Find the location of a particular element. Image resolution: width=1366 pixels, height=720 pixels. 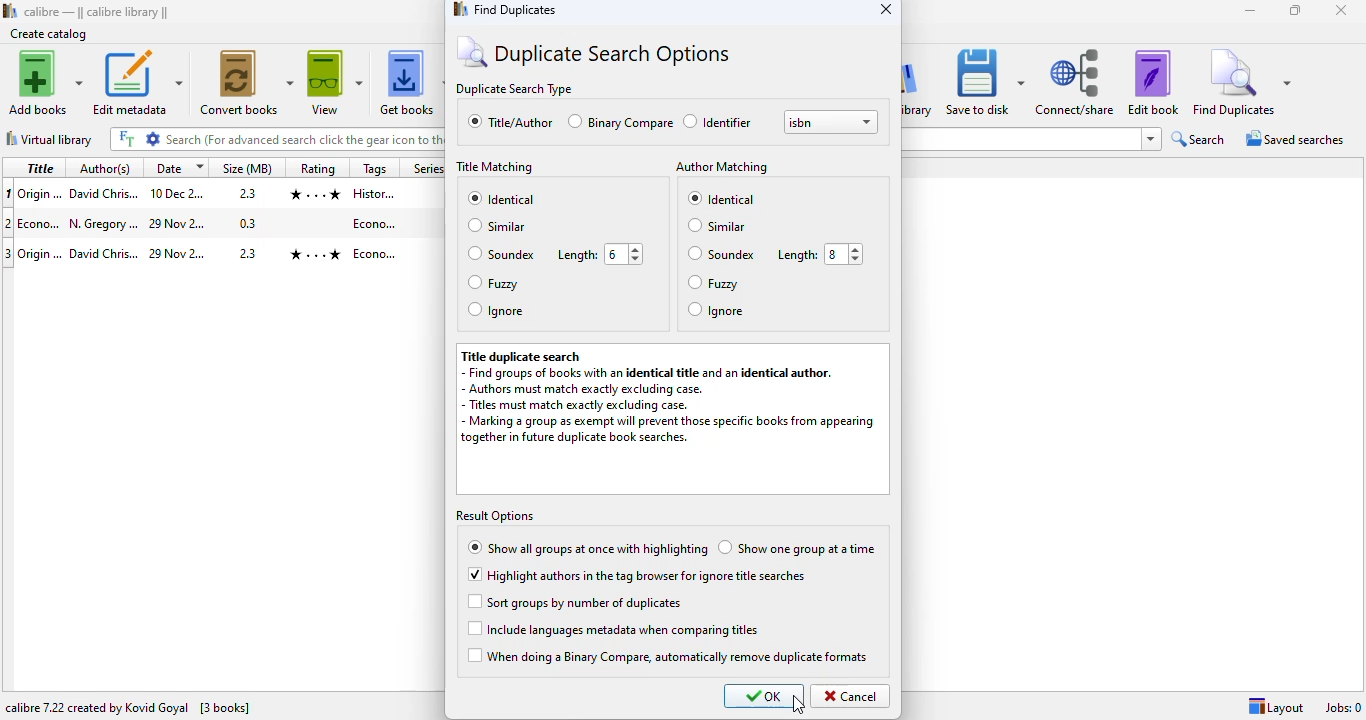

calibre || calibre library || is located at coordinates (96, 12).